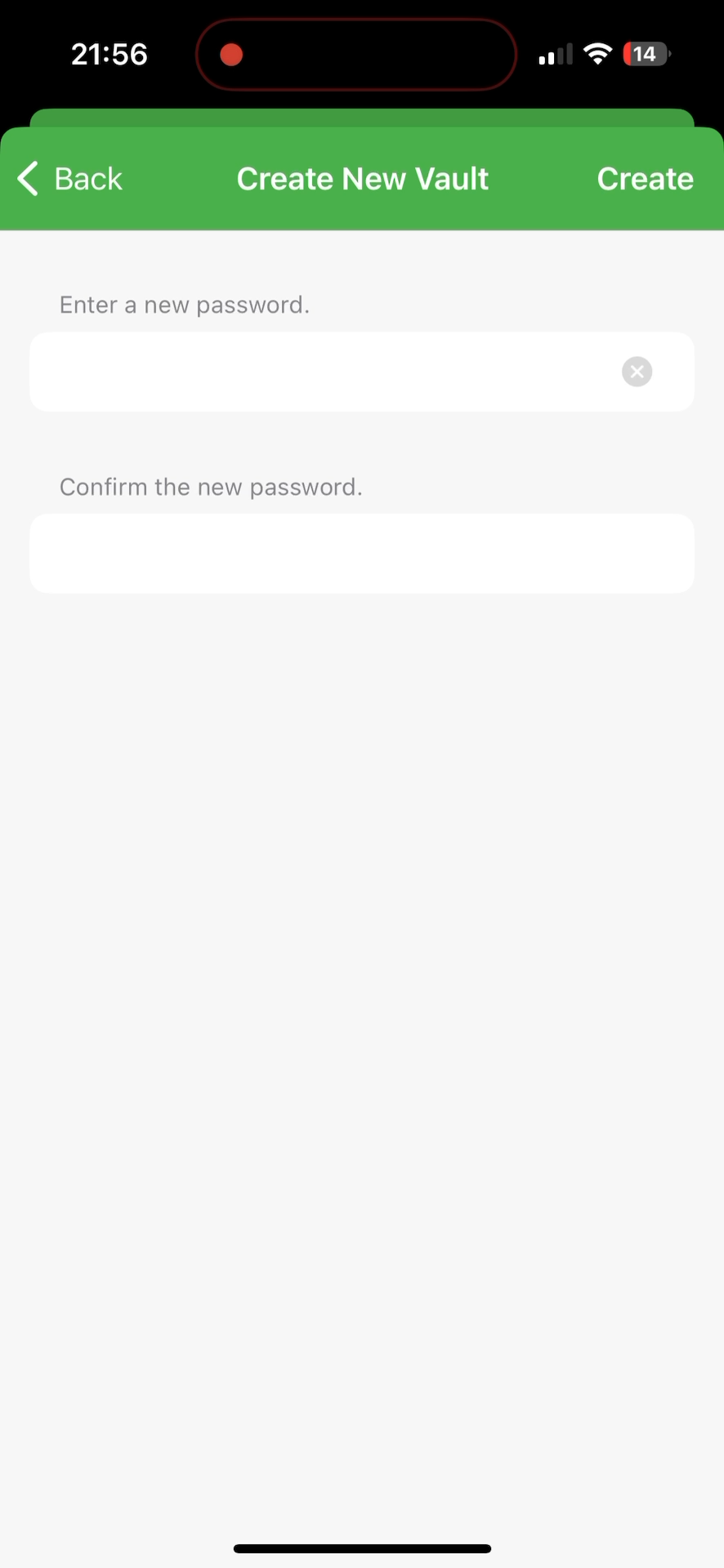 Image resolution: width=724 pixels, height=1568 pixels. What do you see at coordinates (321, 372) in the screenshot?
I see `caption for new password` at bounding box center [321, 372].